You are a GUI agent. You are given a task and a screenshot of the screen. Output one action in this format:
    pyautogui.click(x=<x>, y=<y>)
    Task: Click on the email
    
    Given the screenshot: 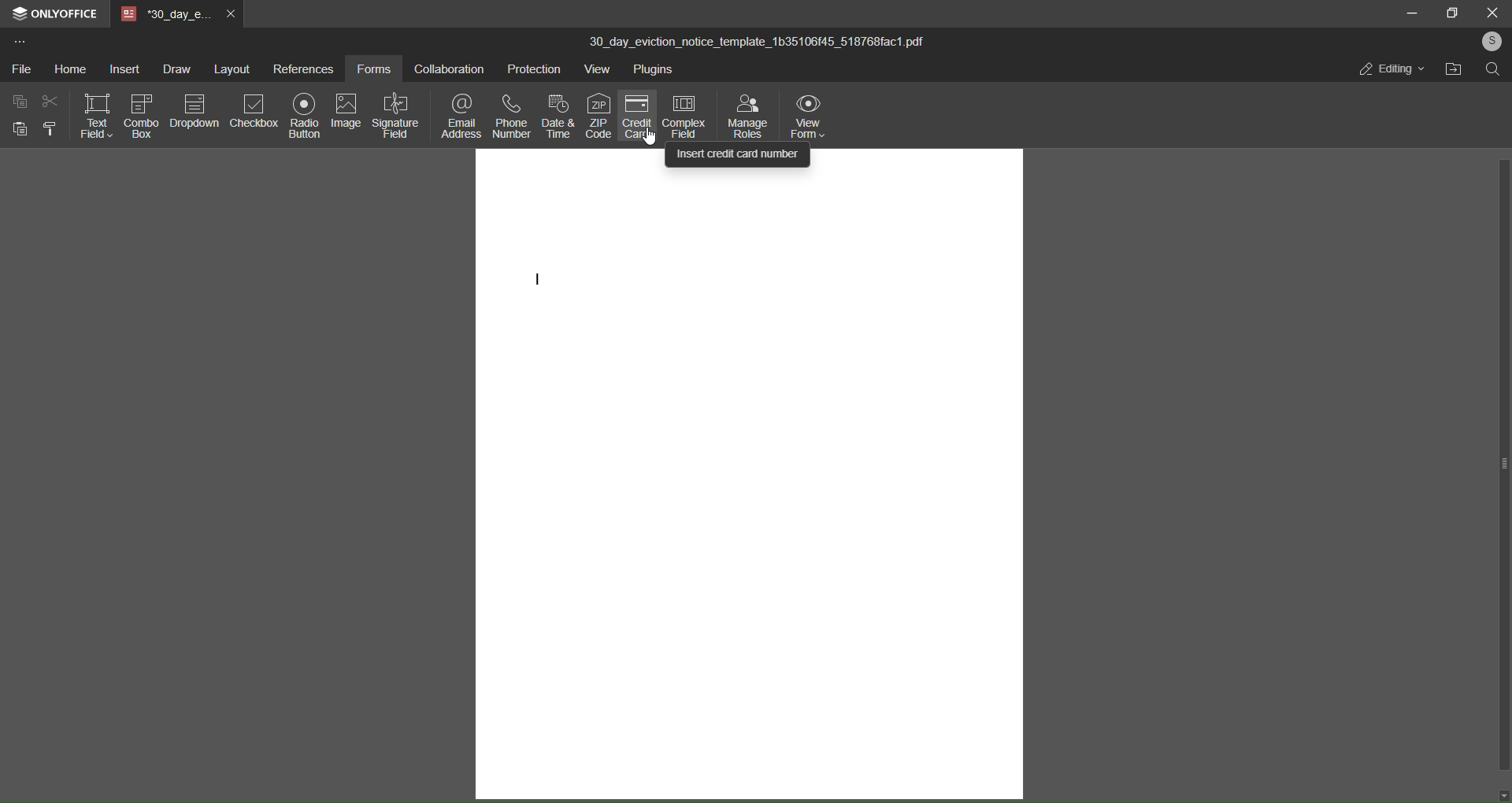 What is the action you would take?
    pyautogui.click(x=458, y=116)
    